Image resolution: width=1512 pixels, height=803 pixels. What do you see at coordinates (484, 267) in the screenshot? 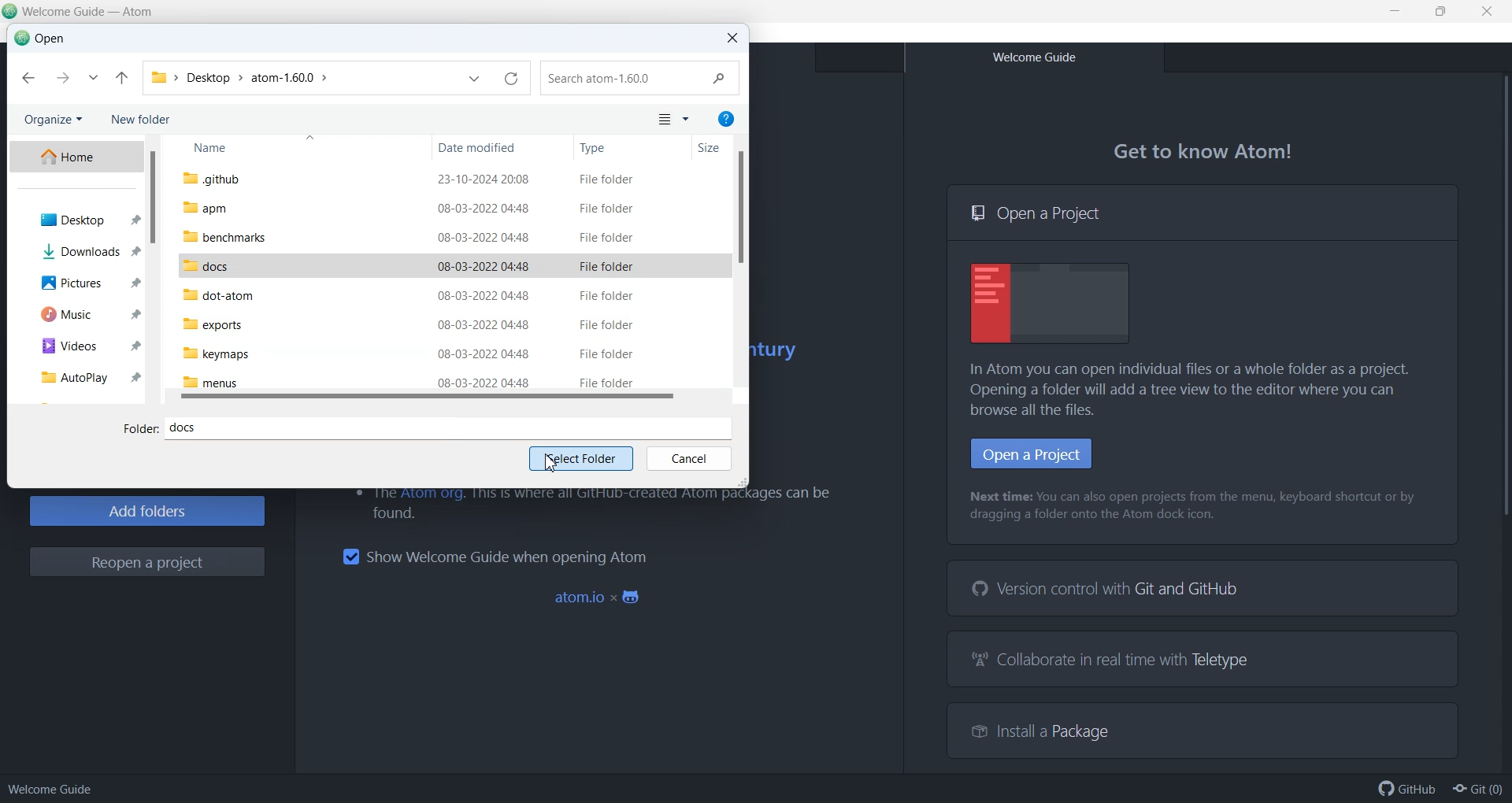
I see `08-03-2022 04:48` at bounding box center [484, 267].